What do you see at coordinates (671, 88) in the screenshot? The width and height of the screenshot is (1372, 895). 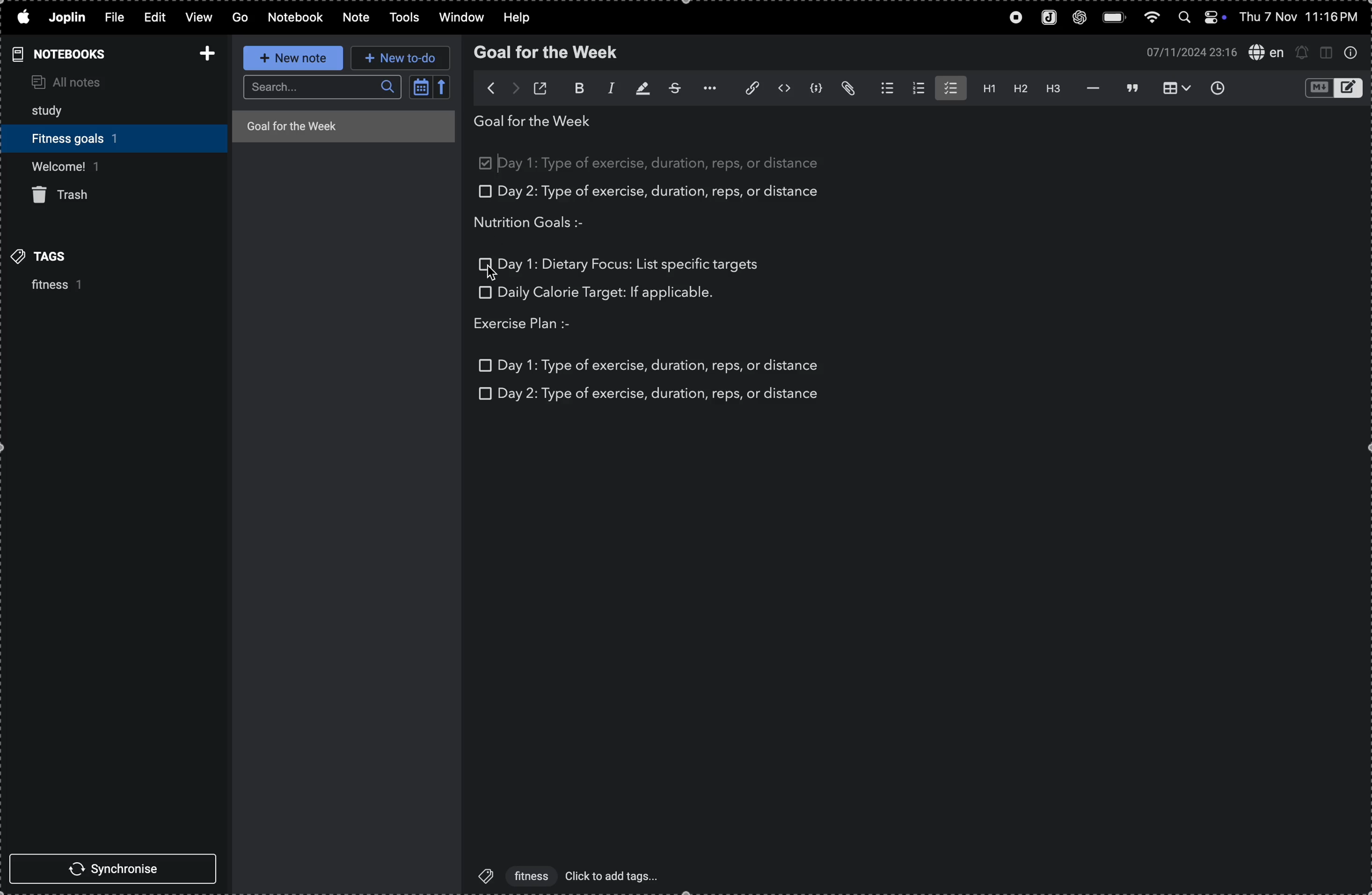 I see `strike through` at bounding box center [671, 88].